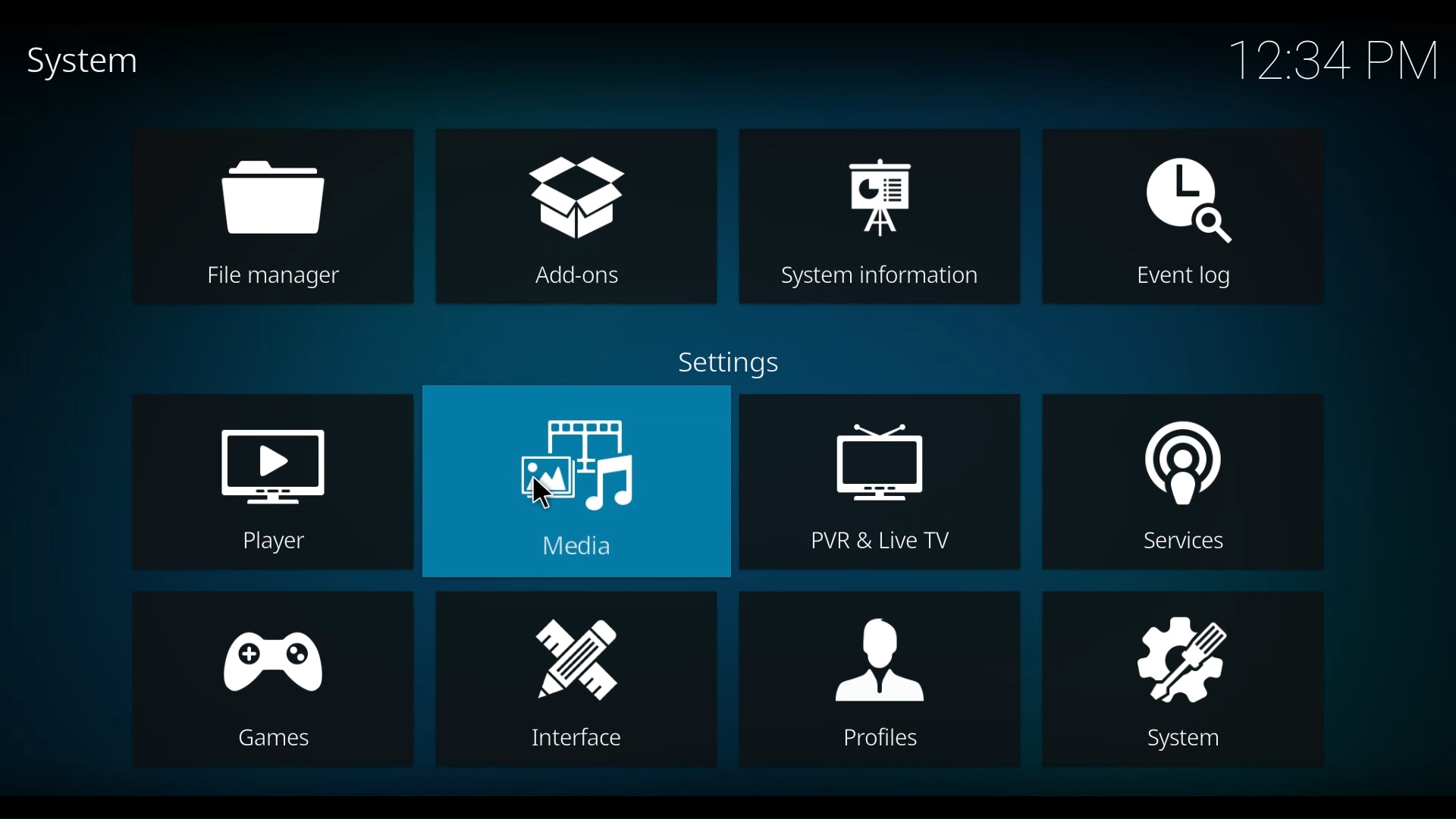 The image size is (1456, 819). Describe the element at coordinates (275, 482) in the screenshot. I see `player` at that location.